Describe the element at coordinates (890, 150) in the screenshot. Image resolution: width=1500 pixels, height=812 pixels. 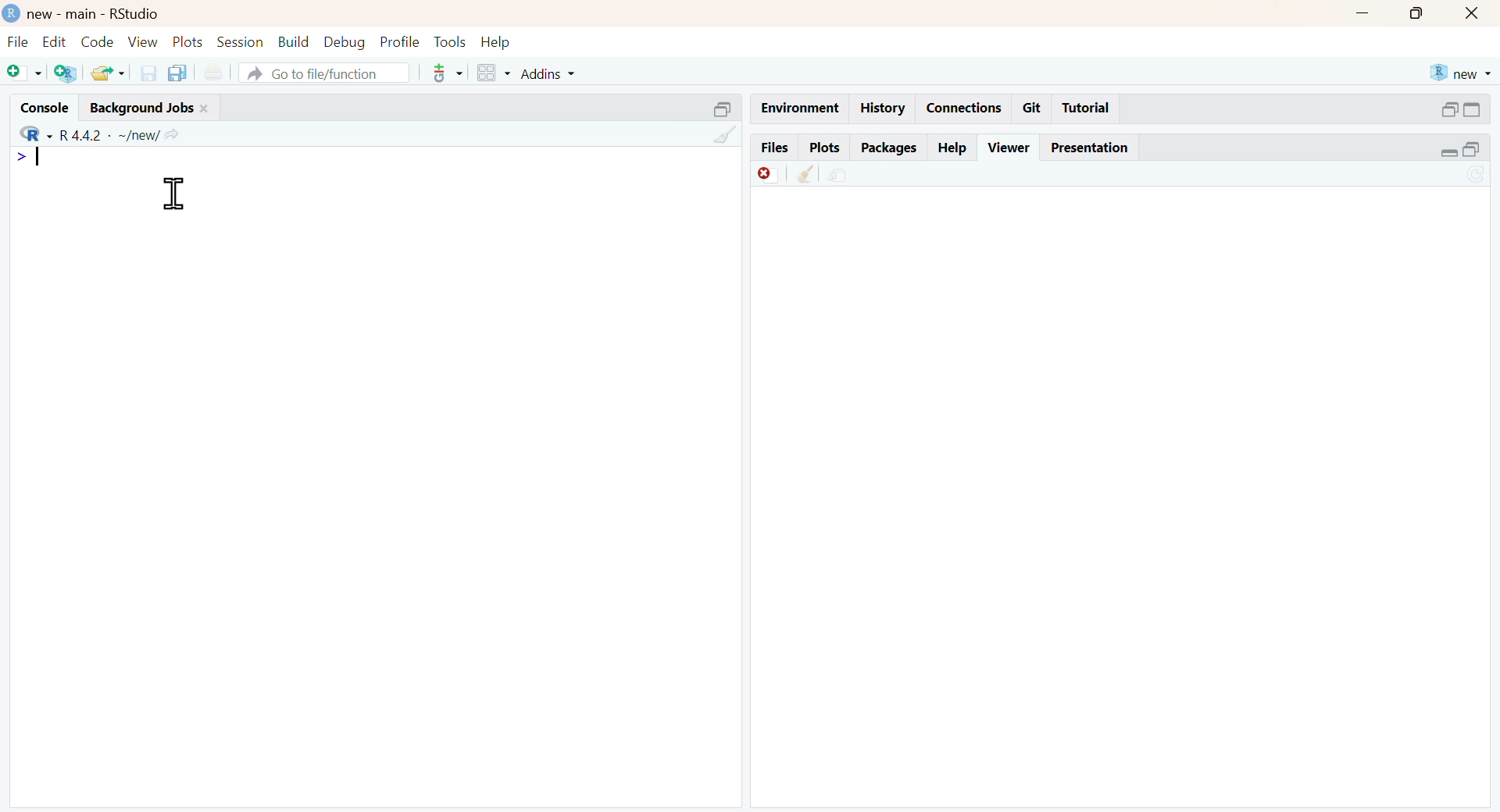
I see `packages` at that location.